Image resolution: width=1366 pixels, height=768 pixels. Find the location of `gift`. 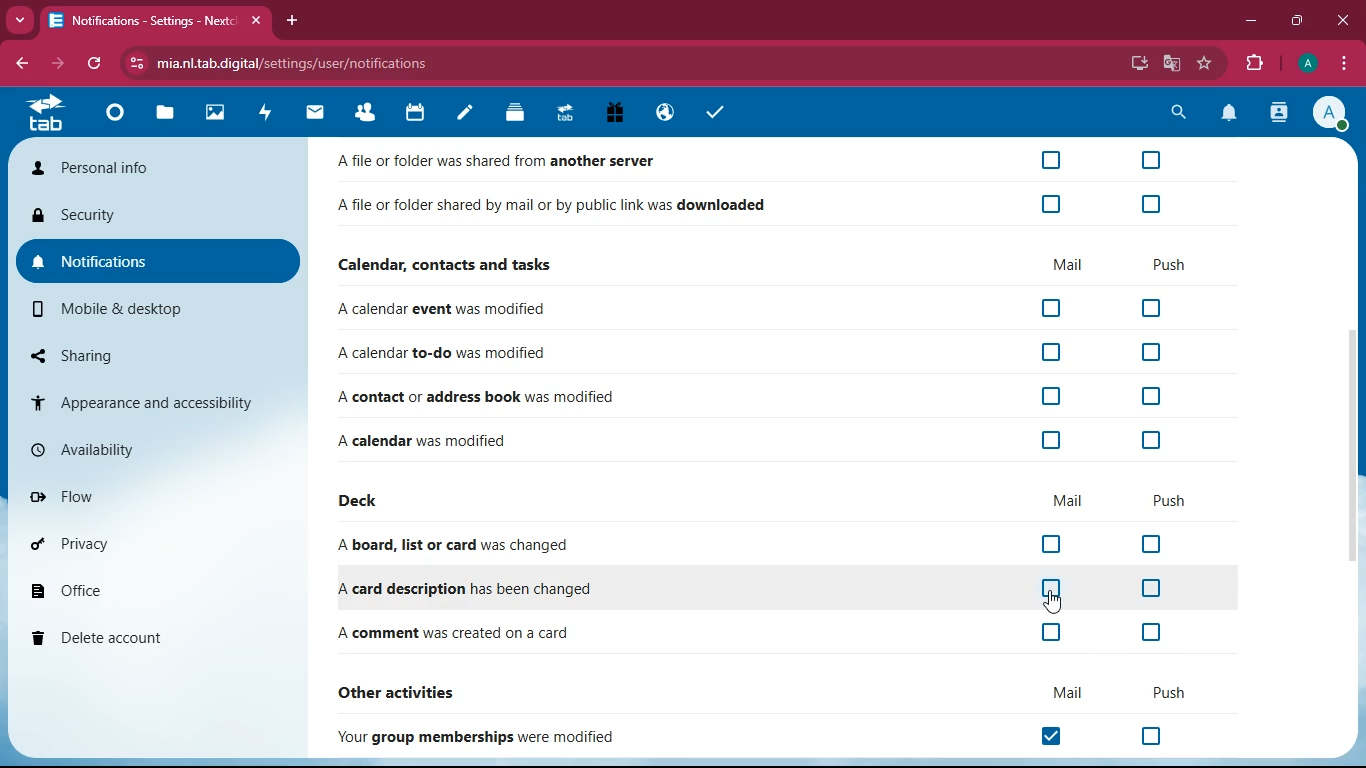

gift is located at coordinates (616, 115).